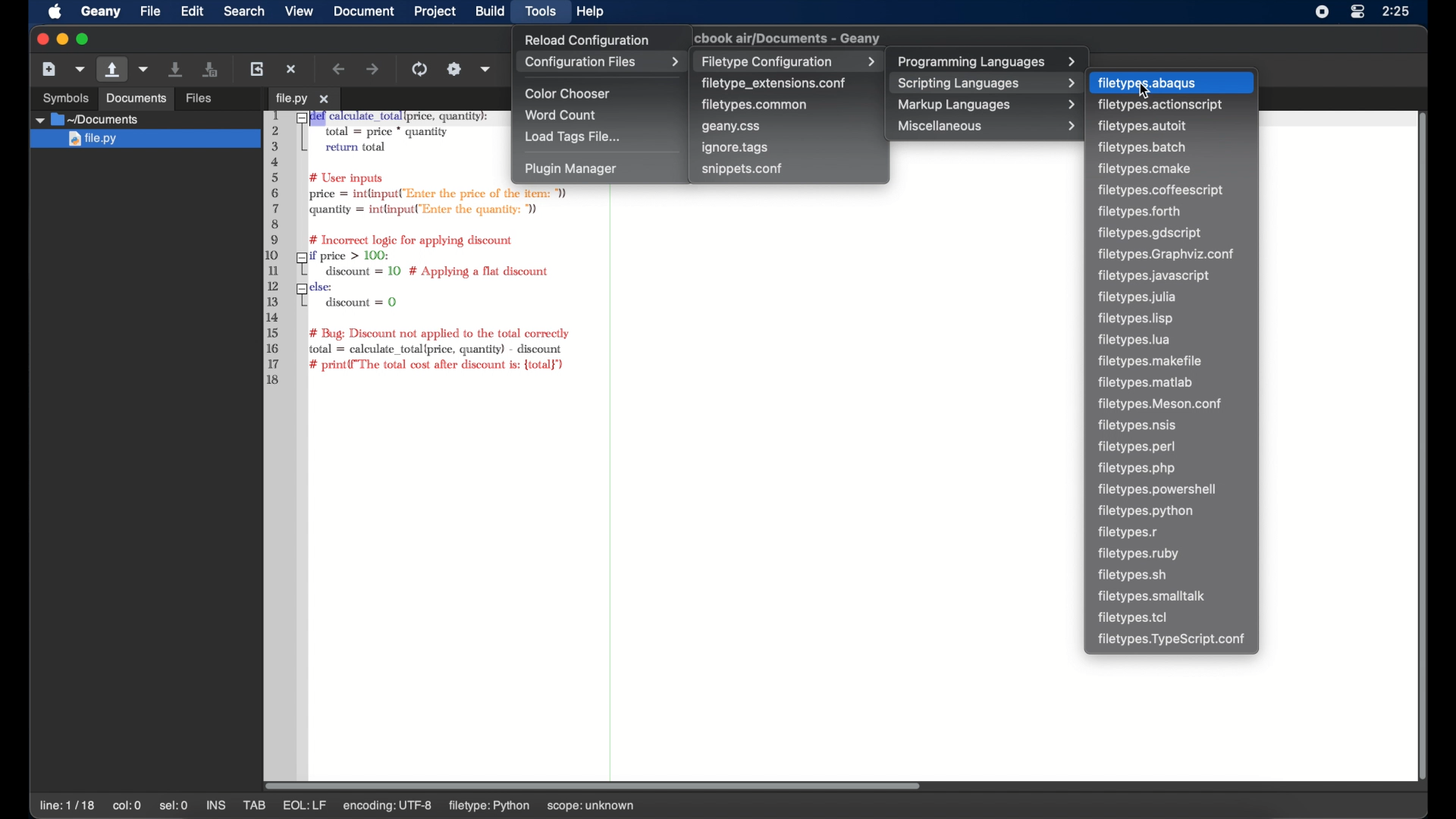  I want to click on , so click(136, 99).